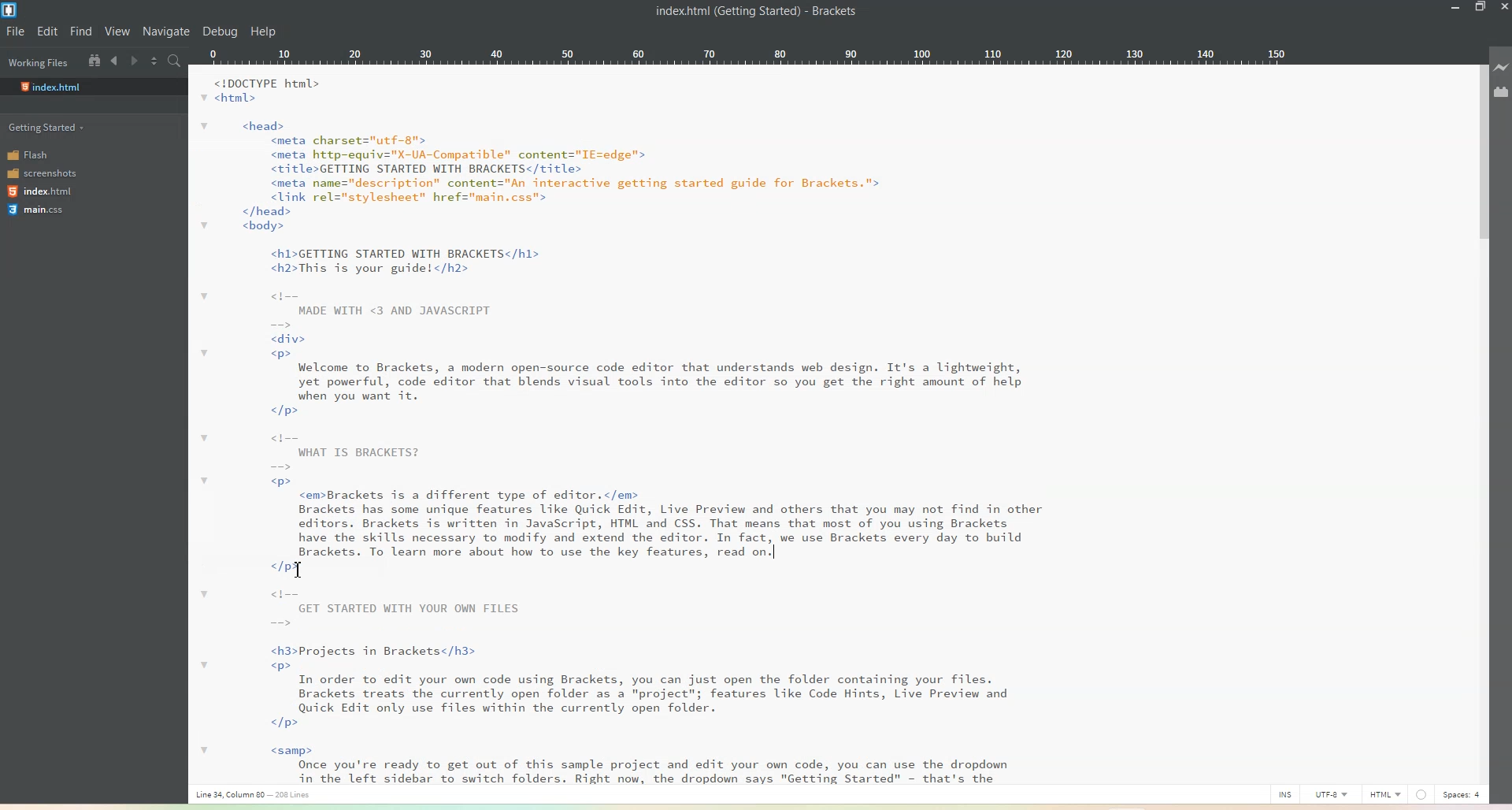  I want to click on index.html, so click(44, 192).